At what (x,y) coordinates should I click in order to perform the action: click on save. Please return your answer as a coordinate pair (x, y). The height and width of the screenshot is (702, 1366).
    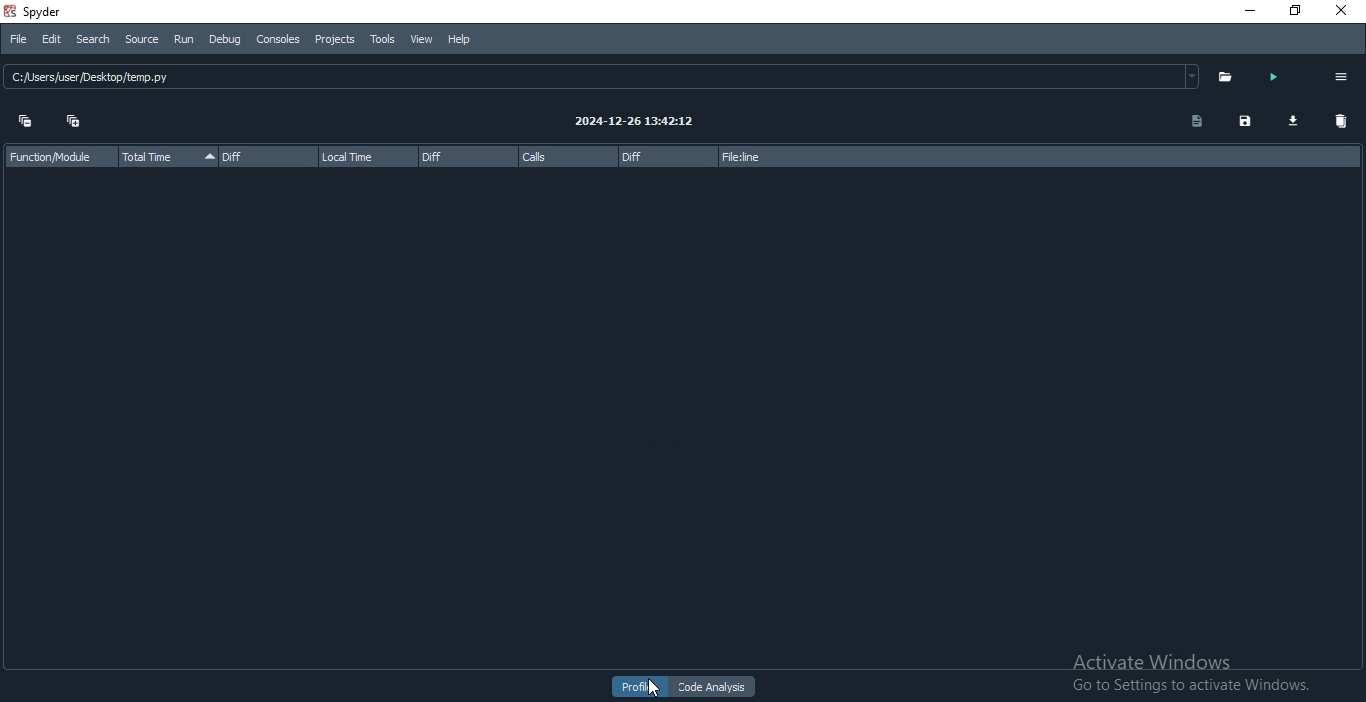
    Looking at the image, I should click on (1251, 121).